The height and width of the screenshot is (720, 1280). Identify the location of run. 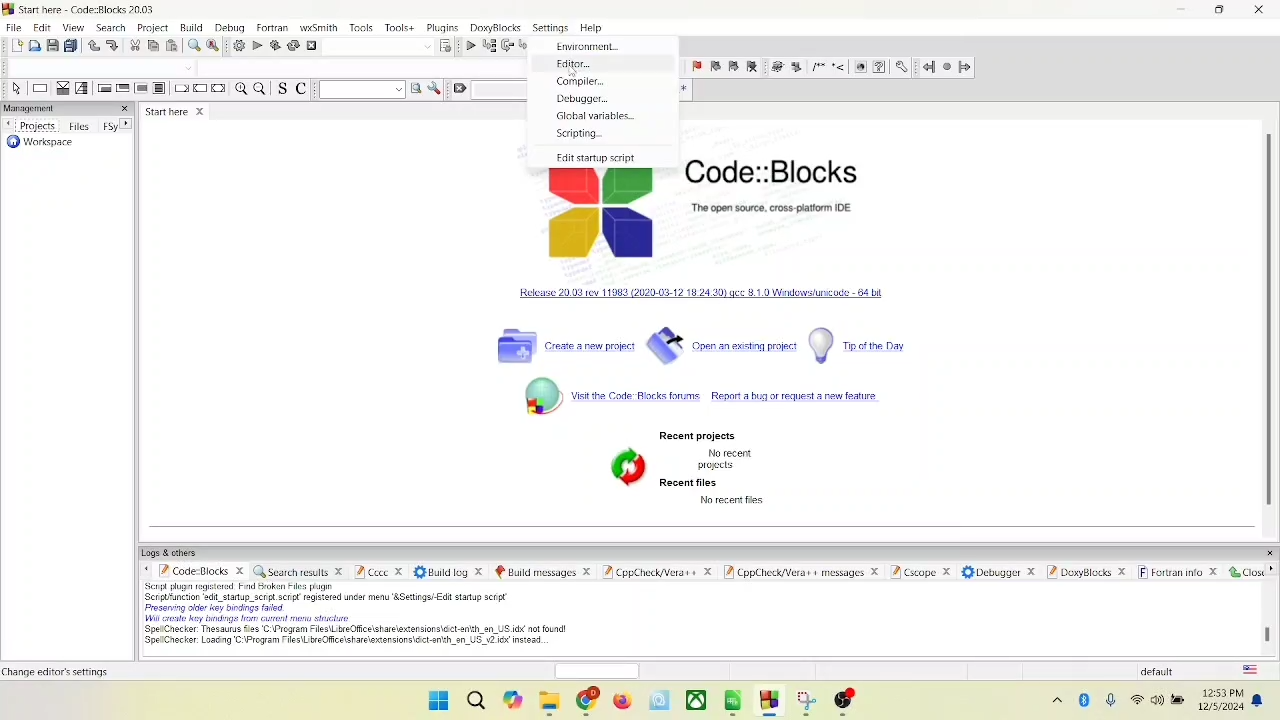
(257, 45).